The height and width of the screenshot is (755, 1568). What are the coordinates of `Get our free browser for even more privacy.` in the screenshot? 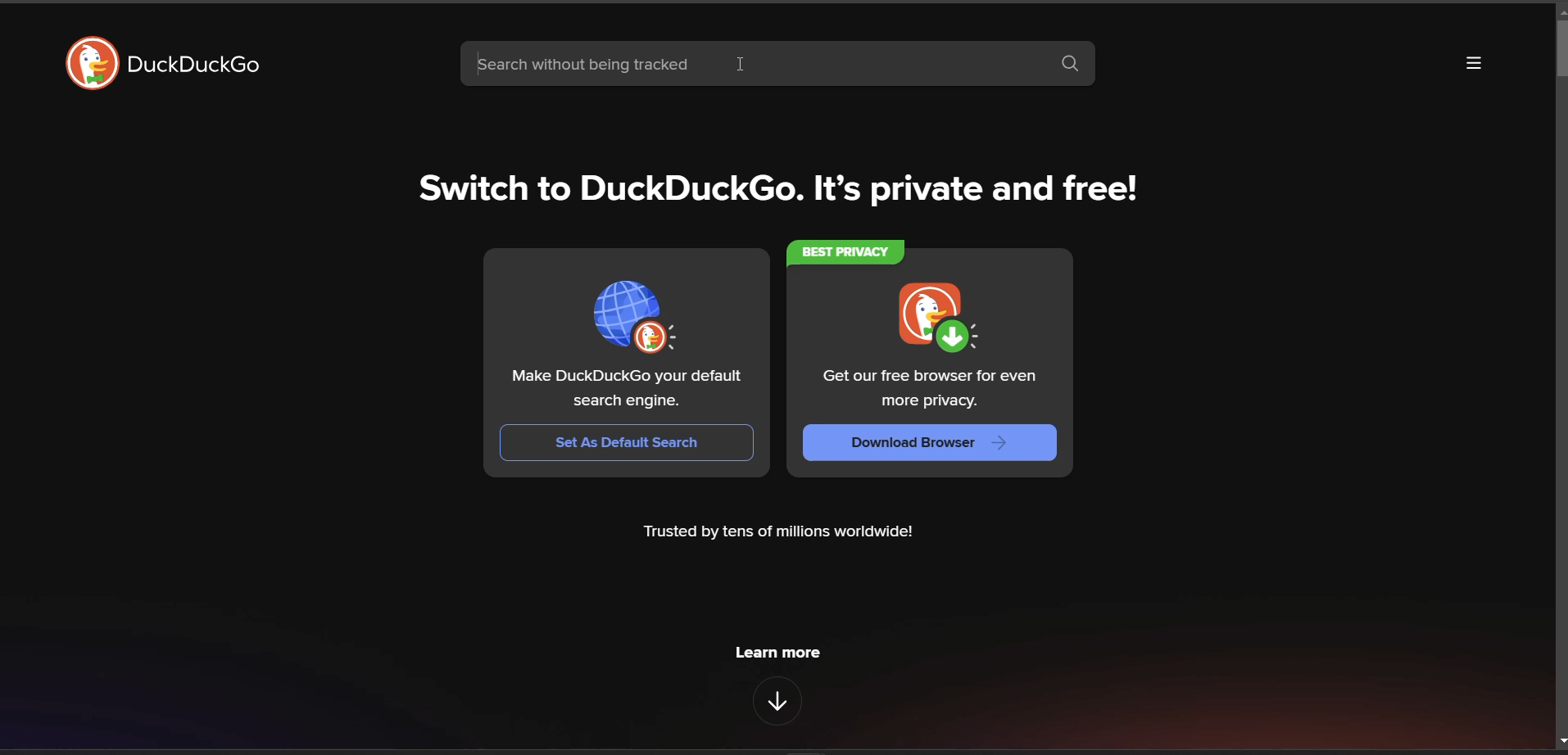 It's located at (931, 389).